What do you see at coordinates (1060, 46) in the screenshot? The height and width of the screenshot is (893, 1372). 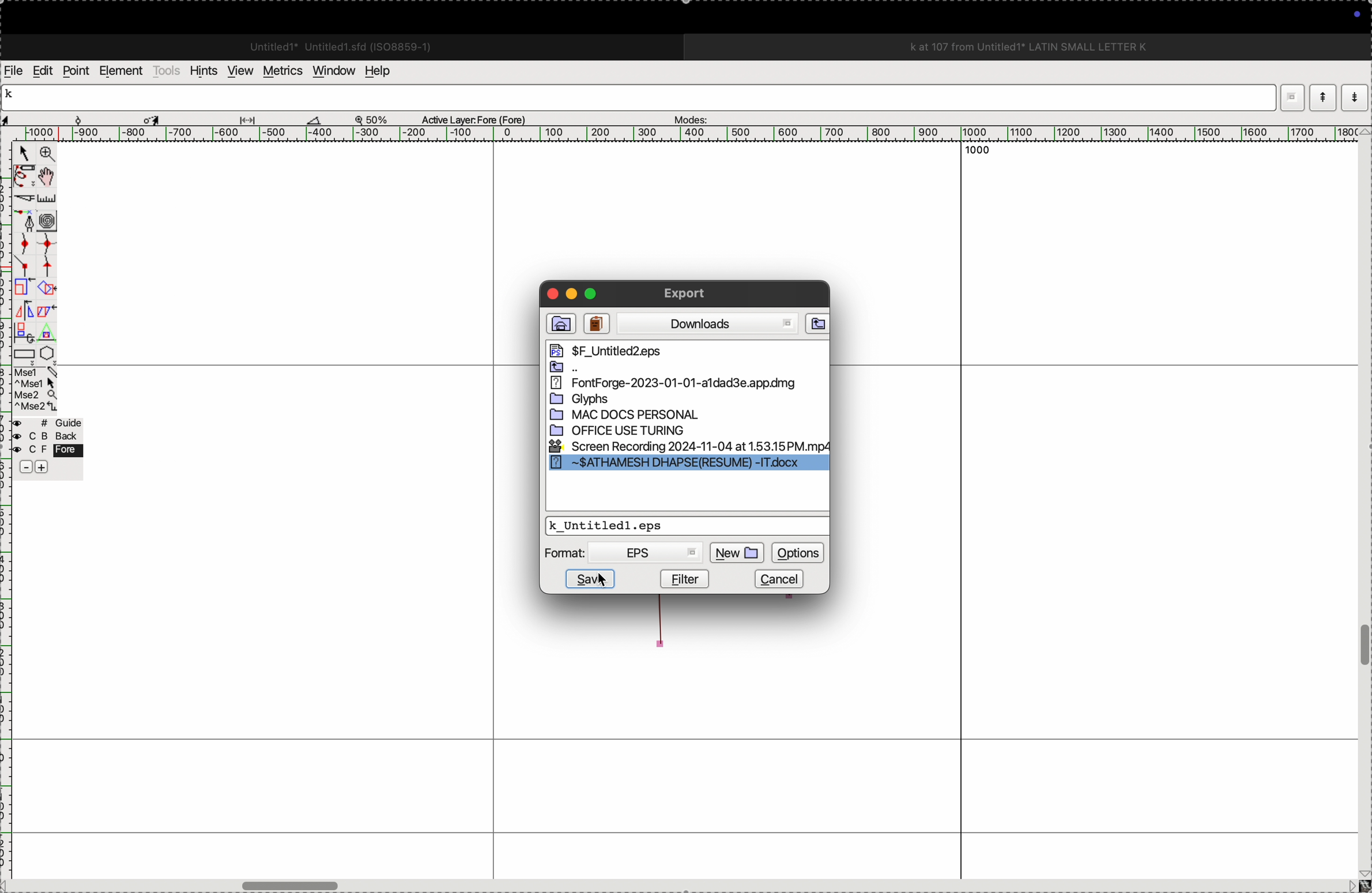 I see `title` at bounding box center [1060, 46].